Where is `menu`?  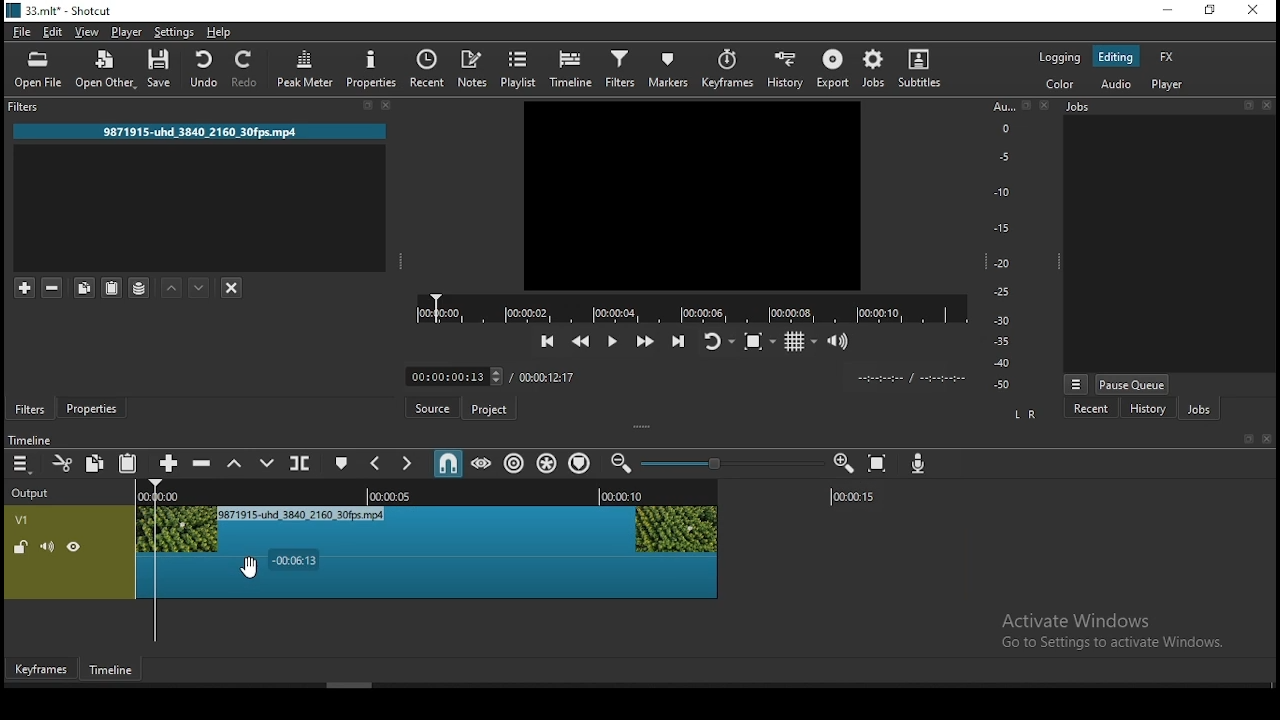
menu is located at coordinates (22, 463).